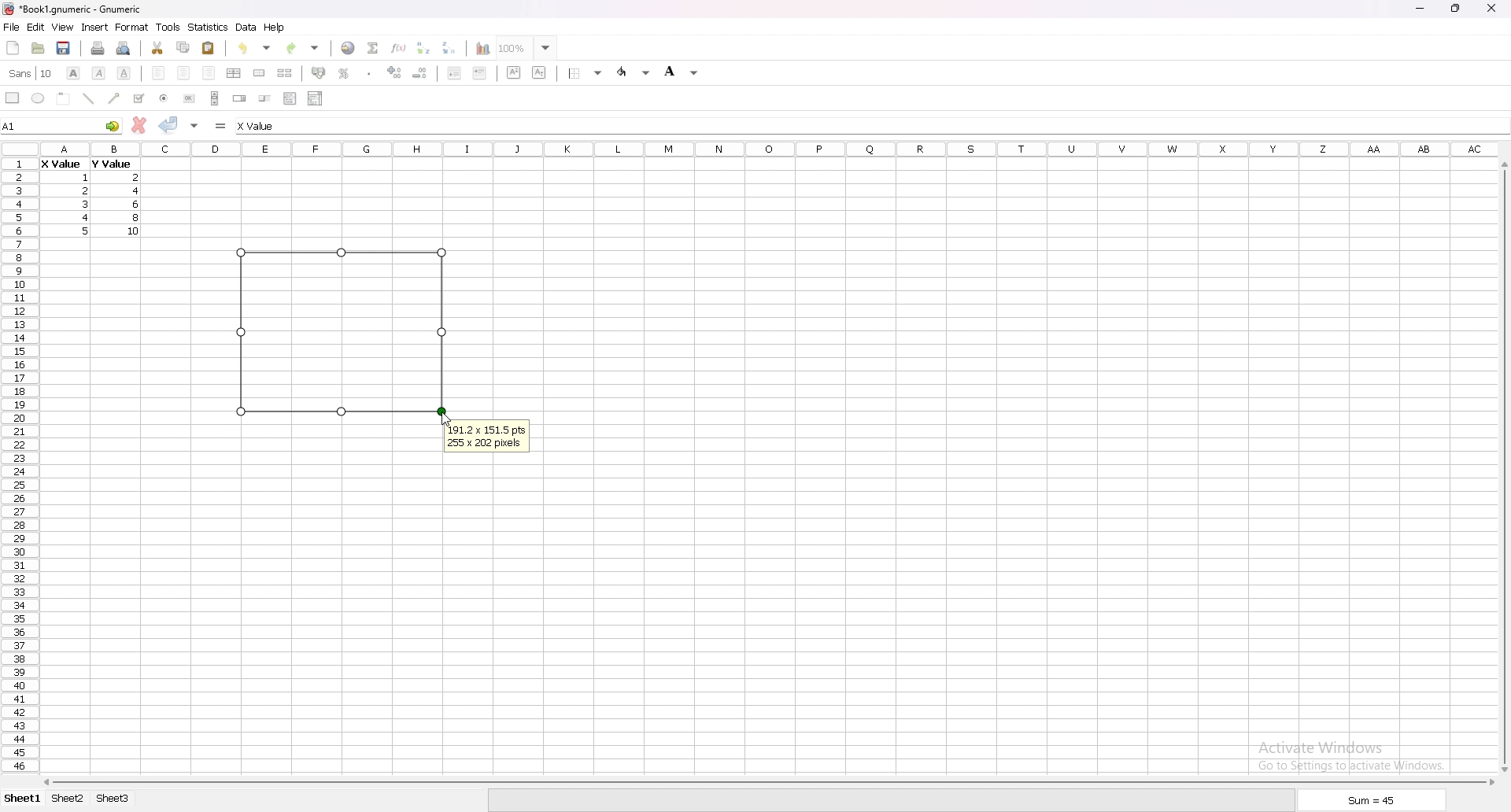  I want to click on function, so click(401, 47).